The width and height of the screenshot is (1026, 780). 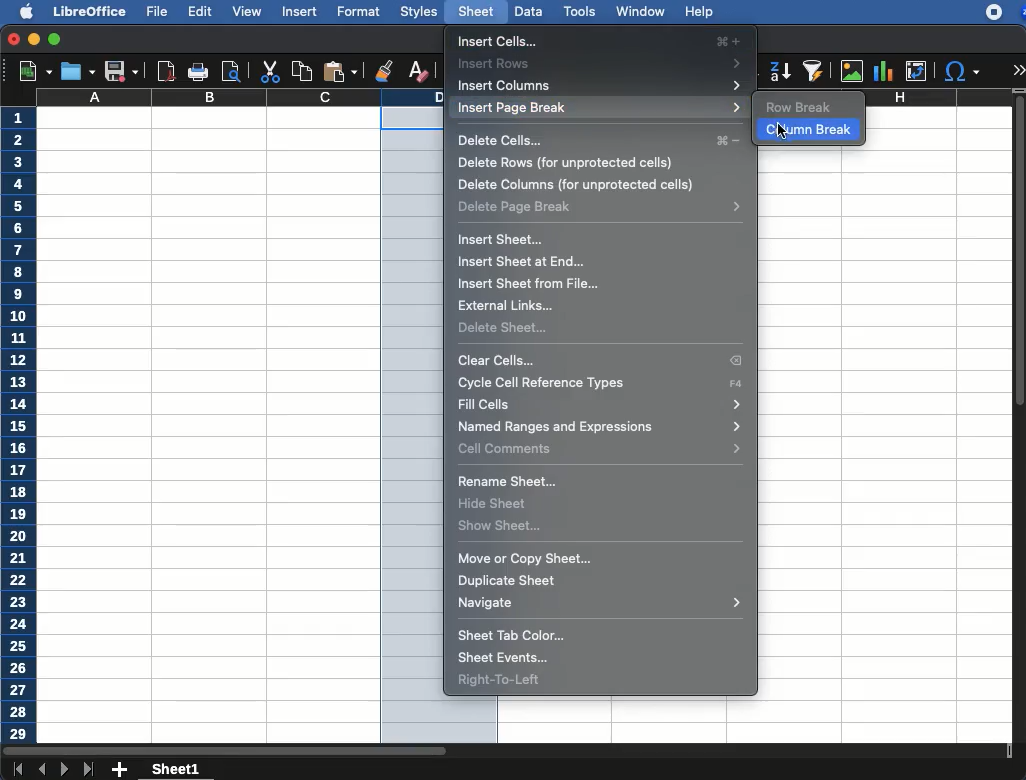 I want to click on file, so click(x=159, y=12).